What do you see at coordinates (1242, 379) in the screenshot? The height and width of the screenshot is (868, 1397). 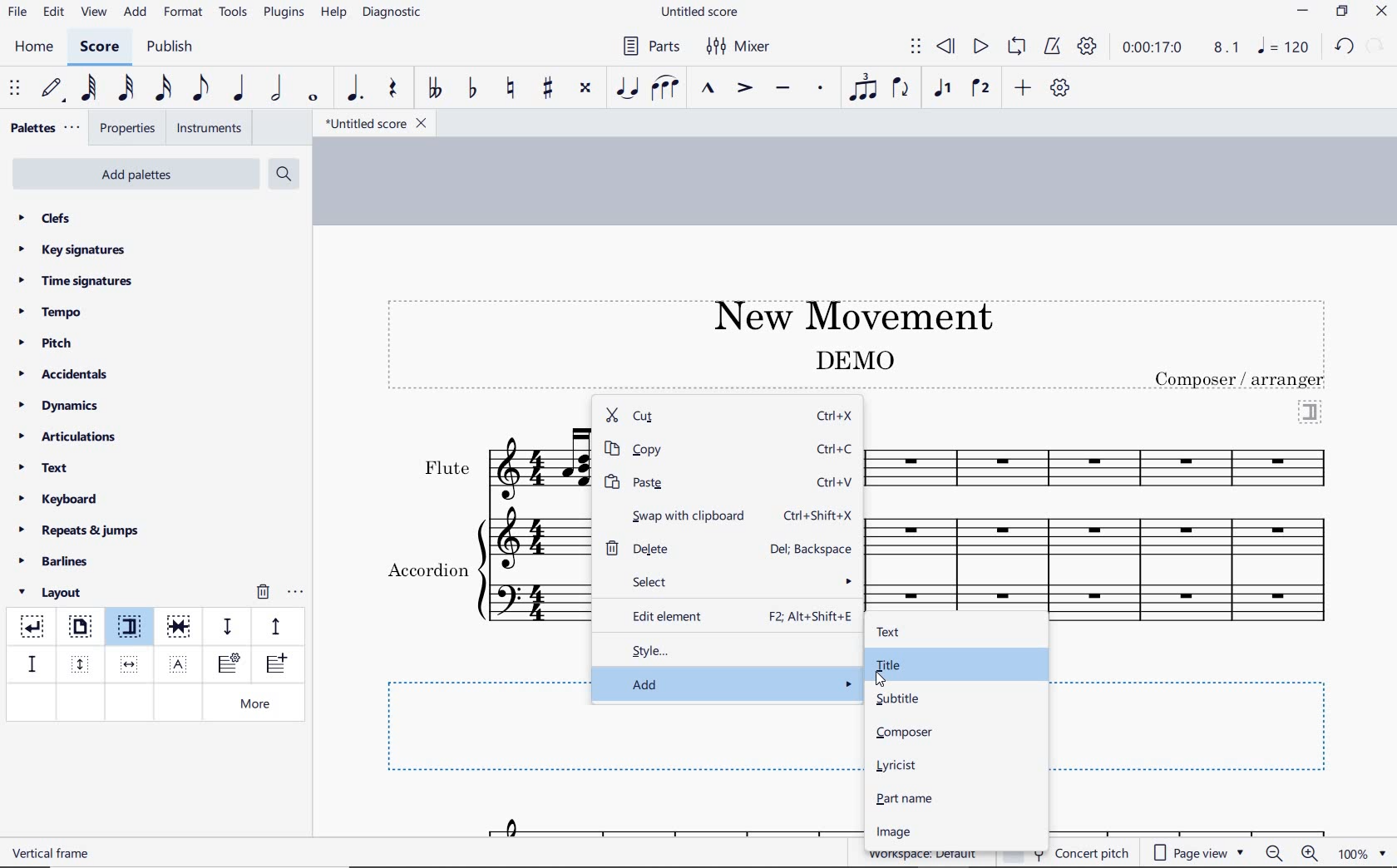 I see `text` at bounding box center [1242, 379].